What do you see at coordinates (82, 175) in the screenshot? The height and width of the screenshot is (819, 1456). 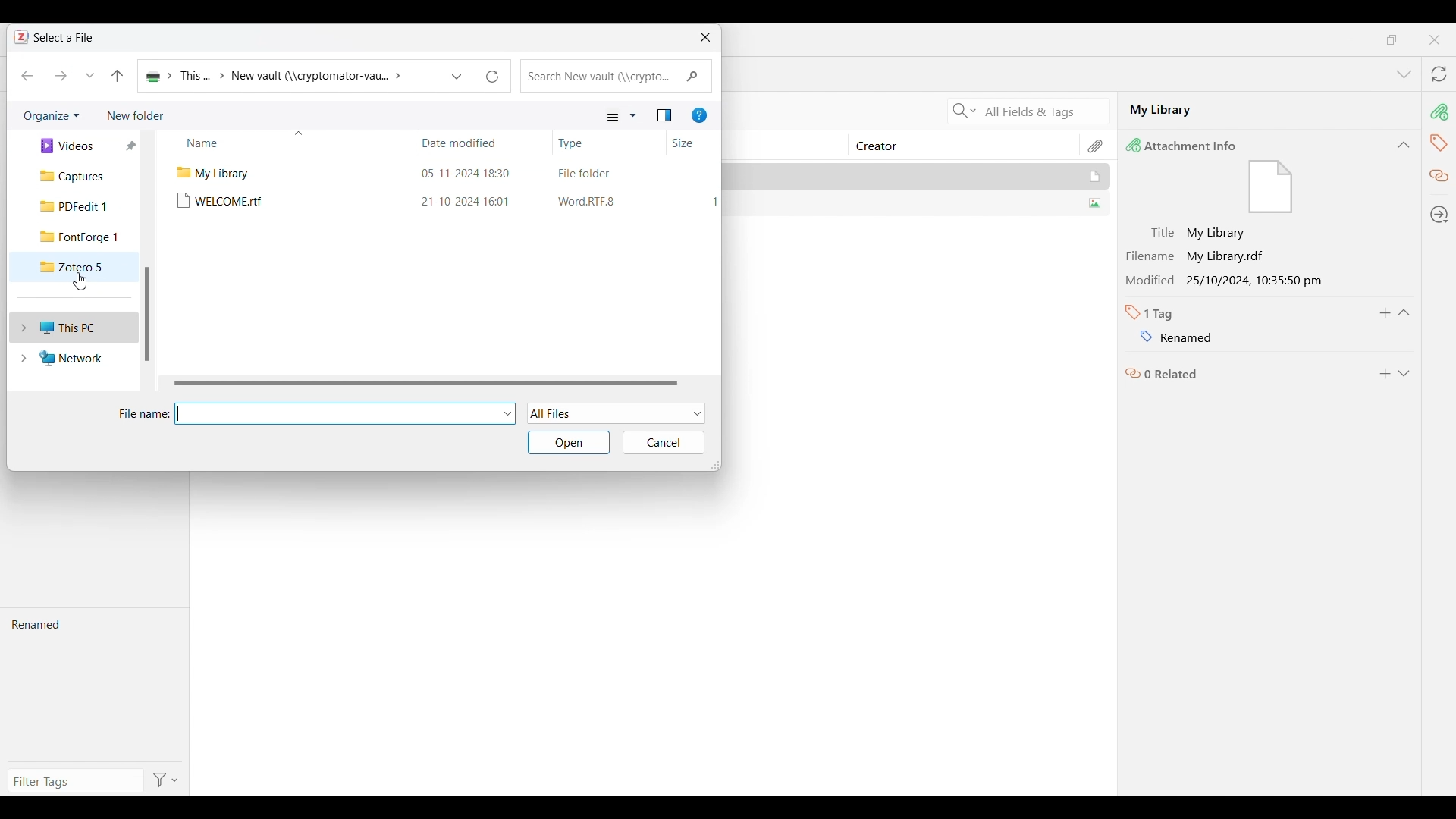 I see `Captures folder` at bounding box center [82, 175].